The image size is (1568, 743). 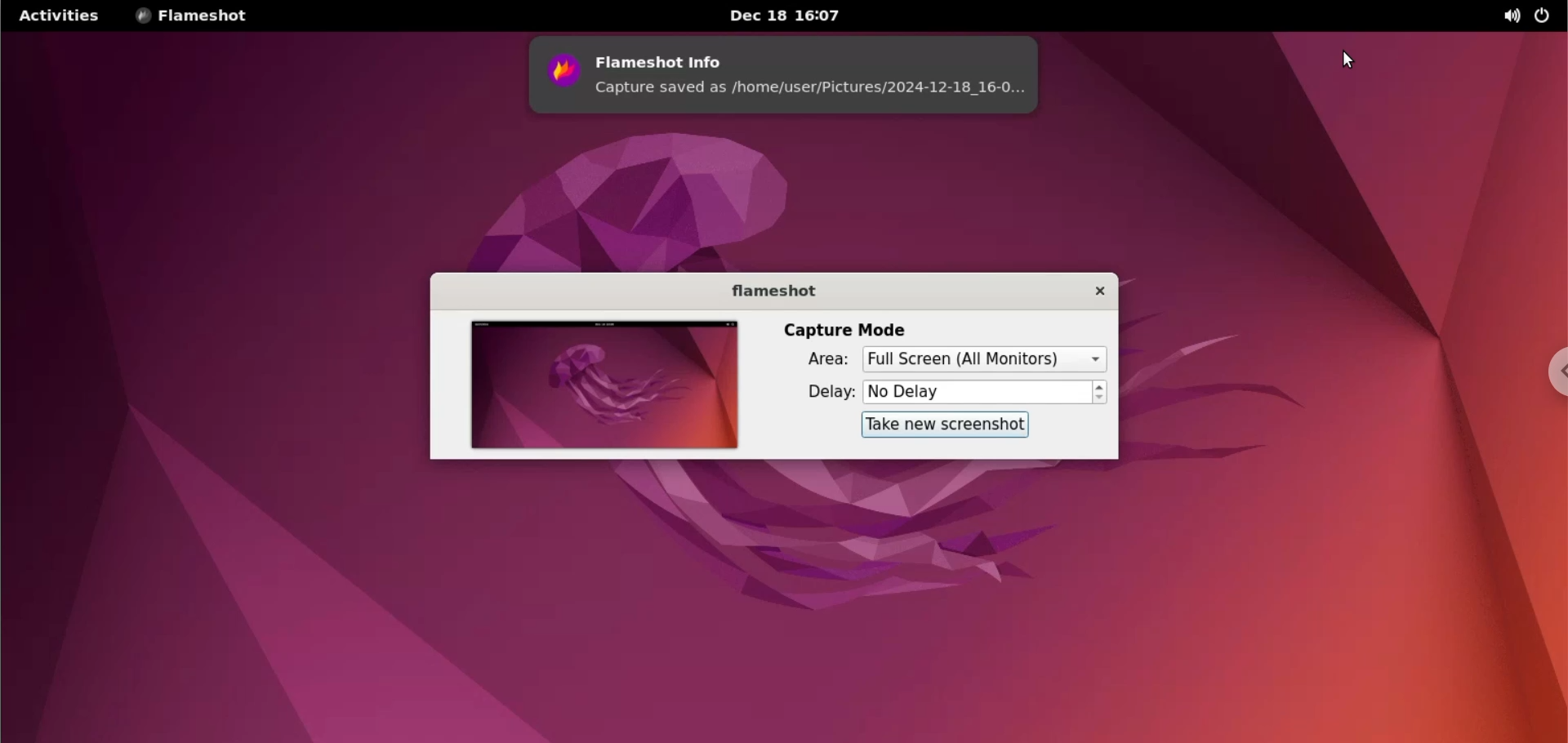 I want to click on cursor, so click(x=1352, y=62).